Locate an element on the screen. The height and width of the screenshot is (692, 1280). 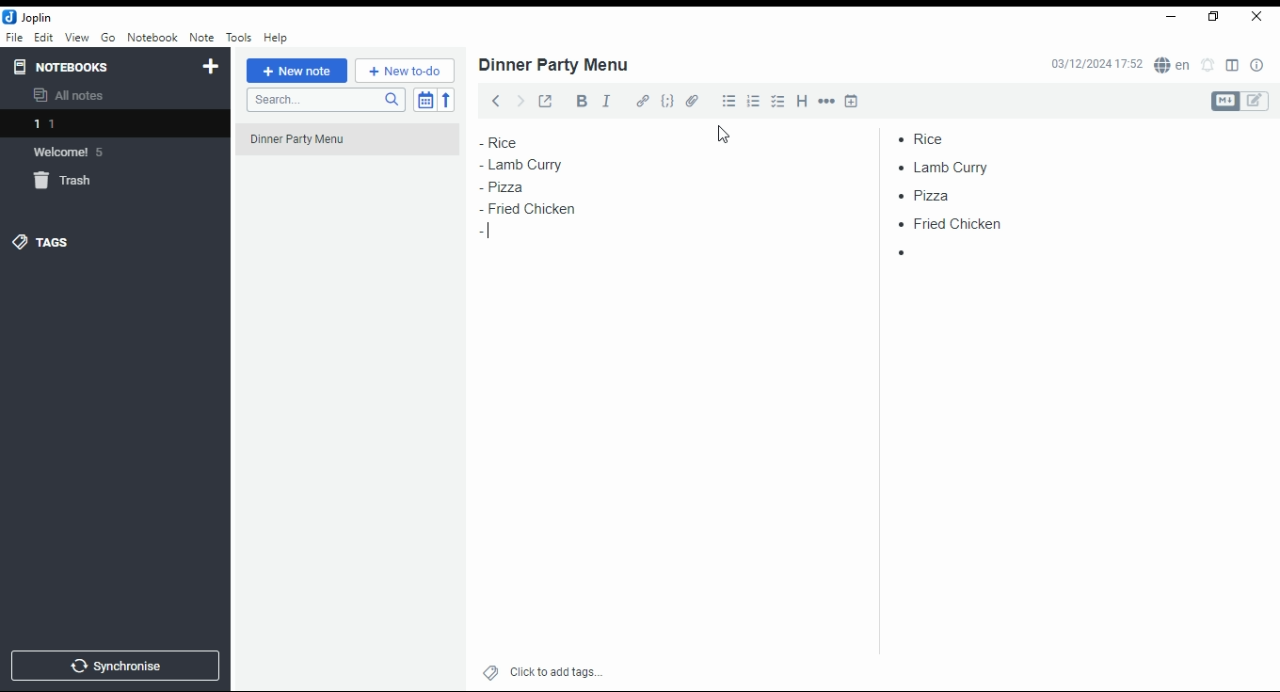
Joplin is located at coordinates (29, 17).